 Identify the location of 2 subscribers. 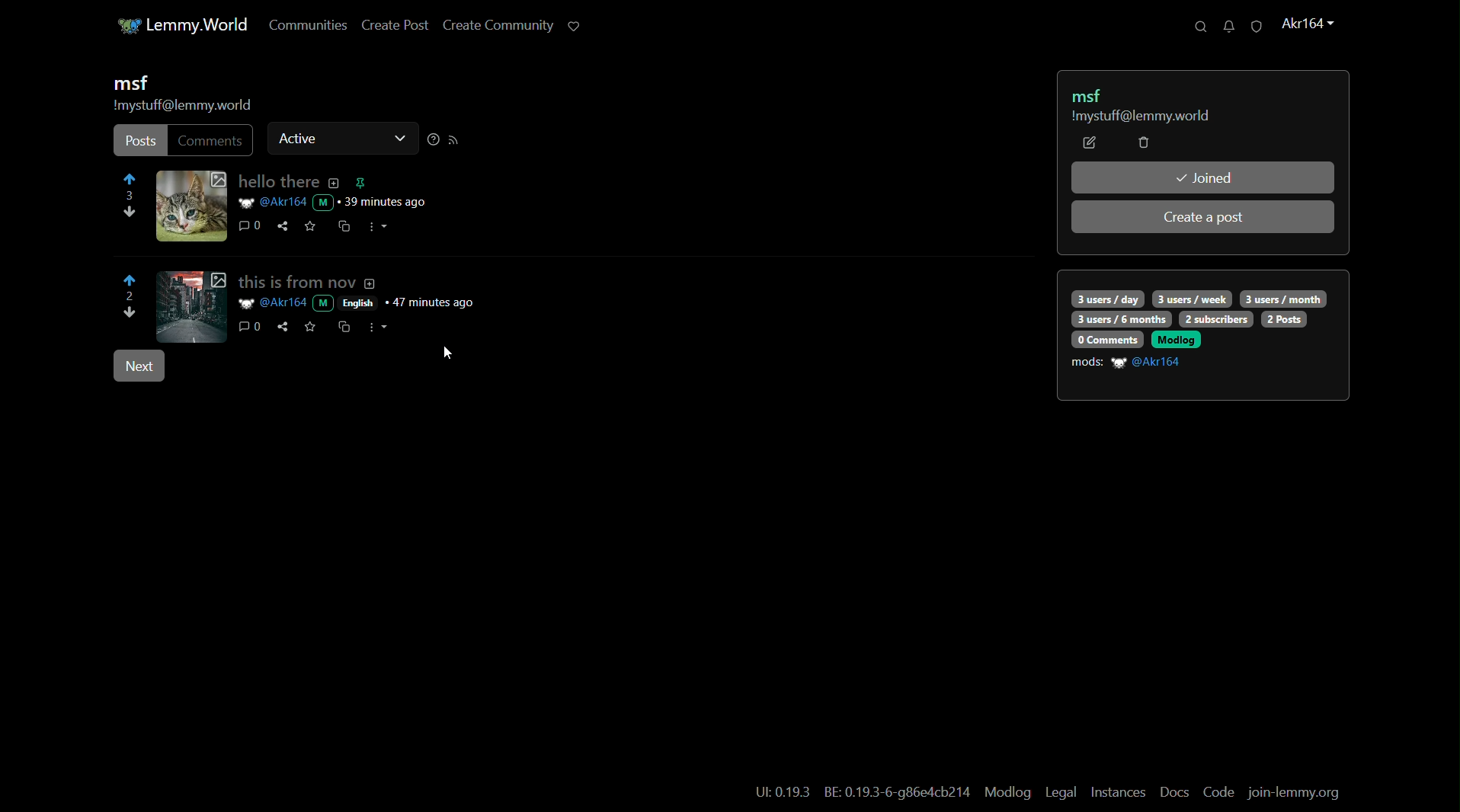
(1216, 319).